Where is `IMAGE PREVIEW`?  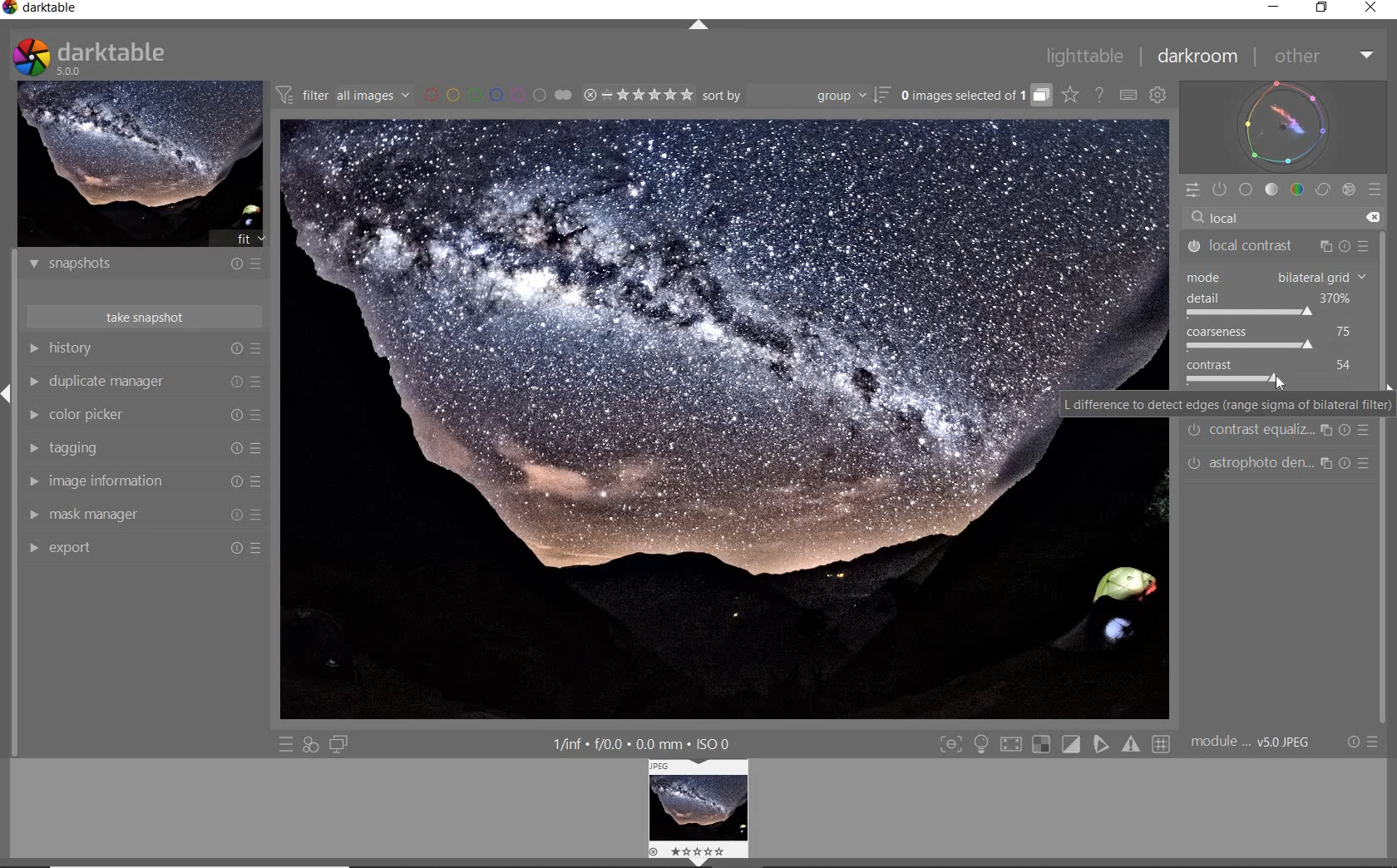 IMAGE PREVIEW is located at coordinates (702, 806).